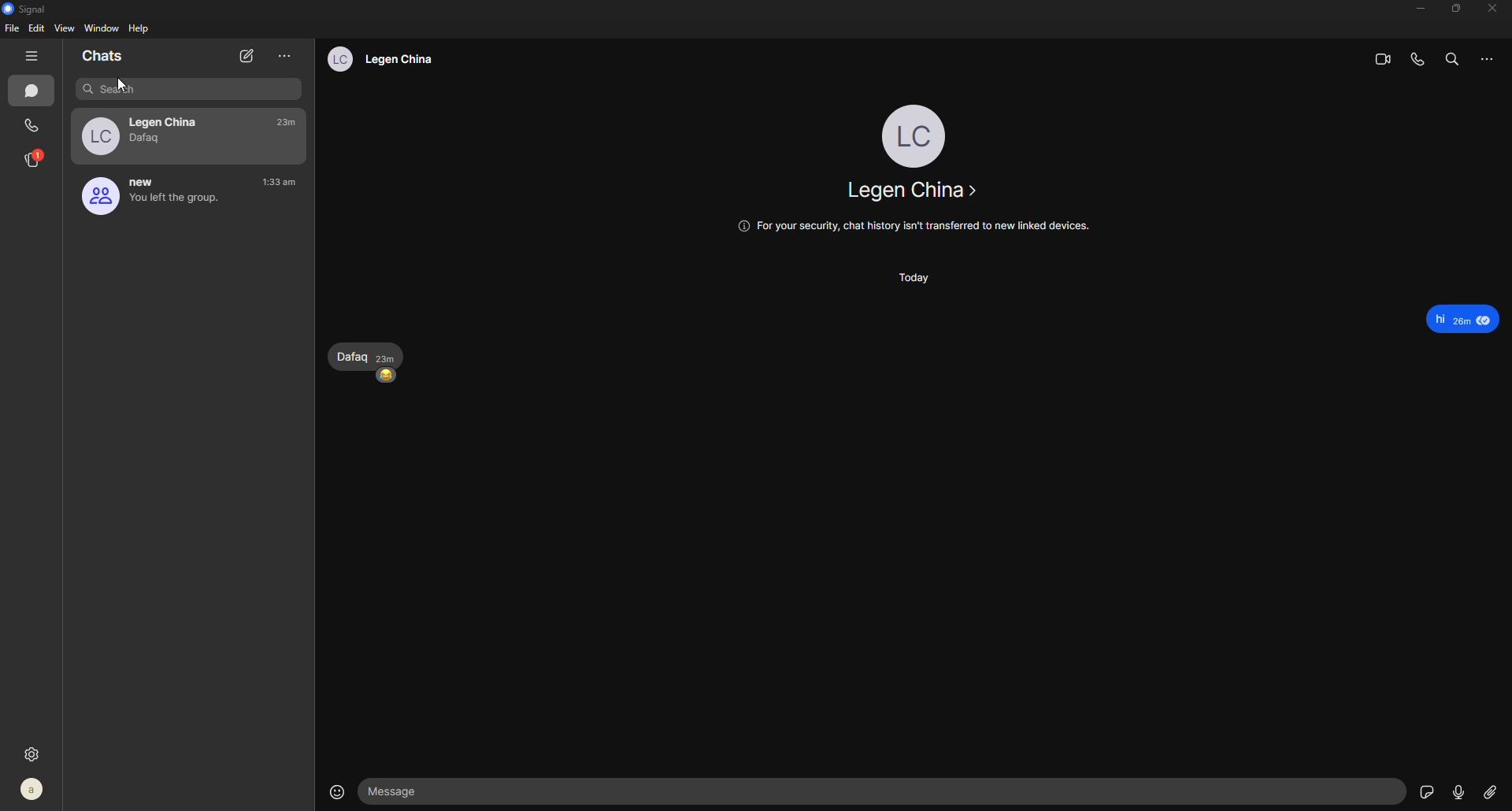  I want to click on view, so click(64, 28).